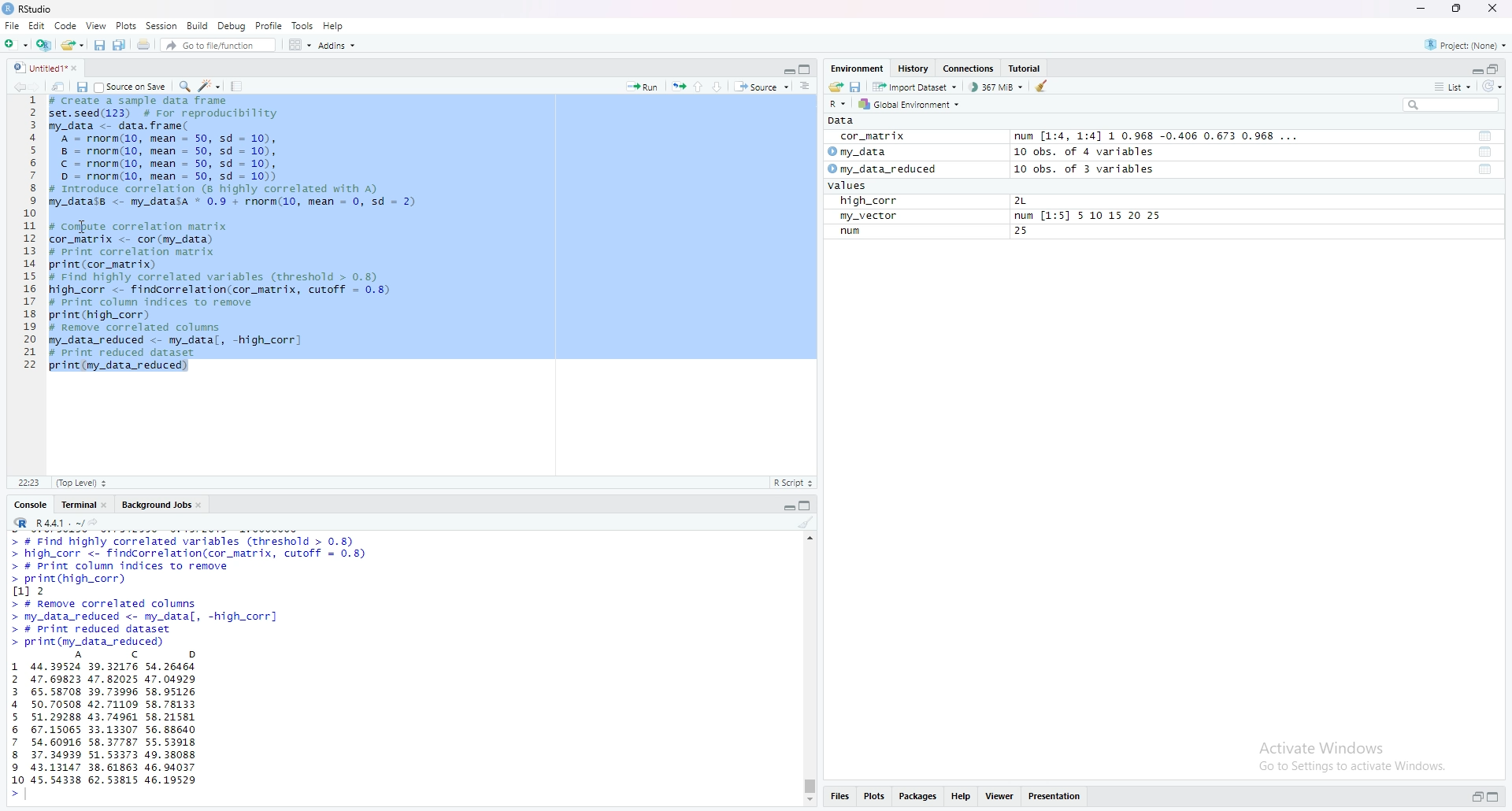 The width and height of the screenshot is (1512, 811). Describe the element at coordinates (917, 797) in the screenshot. I see `Packages` at that location.